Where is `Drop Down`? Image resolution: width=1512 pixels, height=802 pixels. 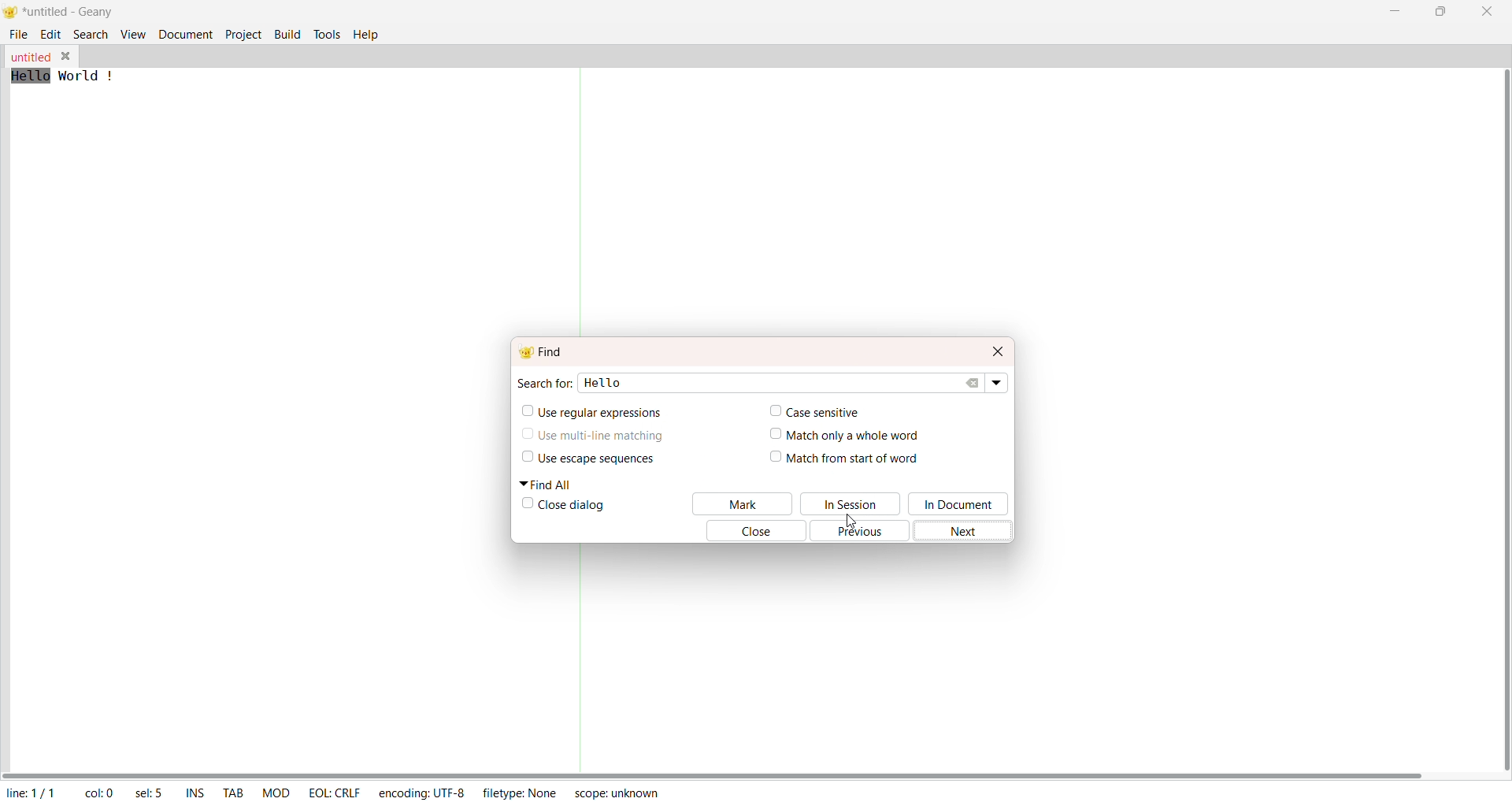 Drop Down is located at coordinates (999, 383).